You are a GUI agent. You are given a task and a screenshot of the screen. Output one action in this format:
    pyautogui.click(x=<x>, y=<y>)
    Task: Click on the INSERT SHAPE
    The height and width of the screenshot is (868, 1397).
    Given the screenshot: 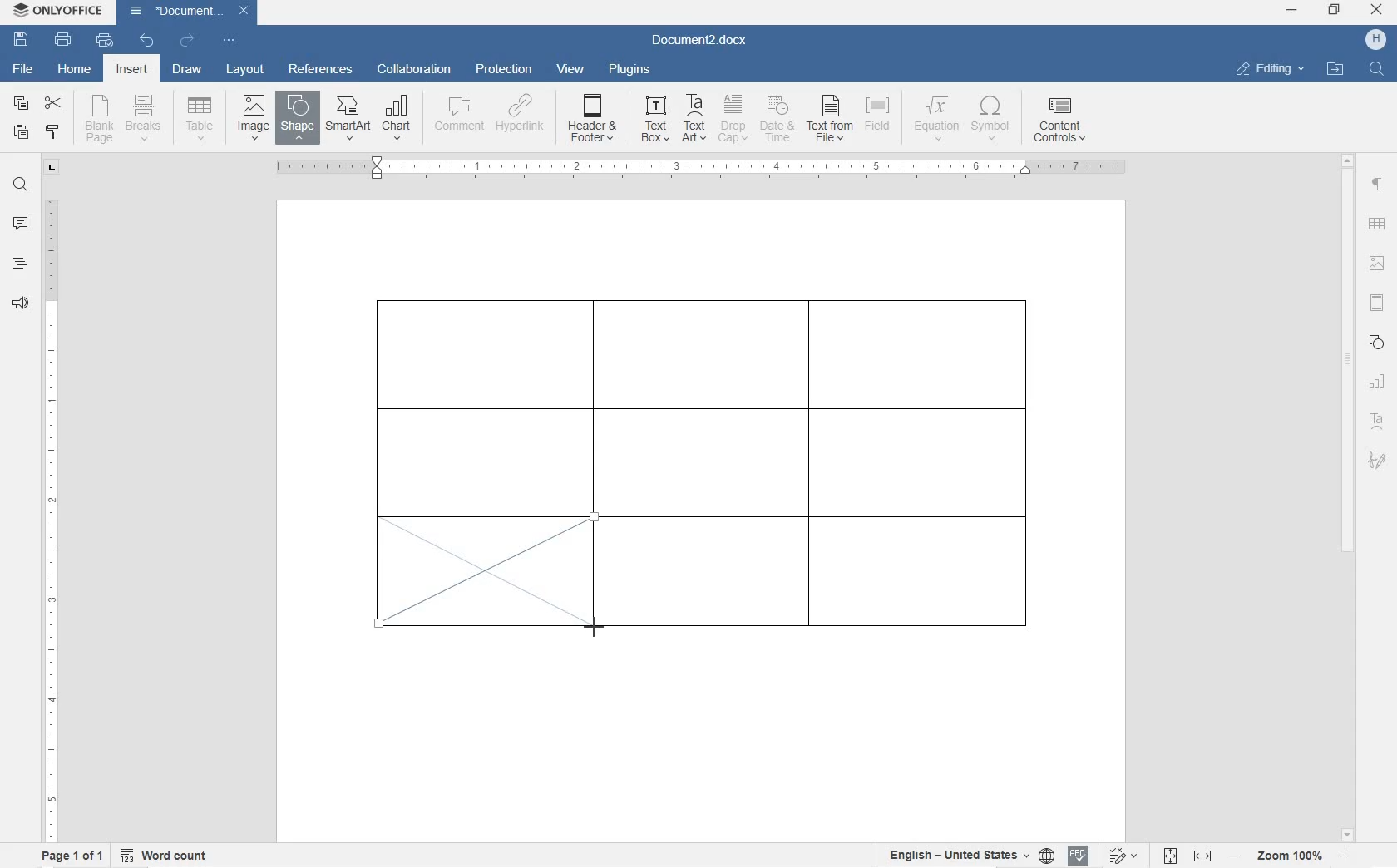 What is the action you would take?
    pyautogui.click(x=297, y=121)
    